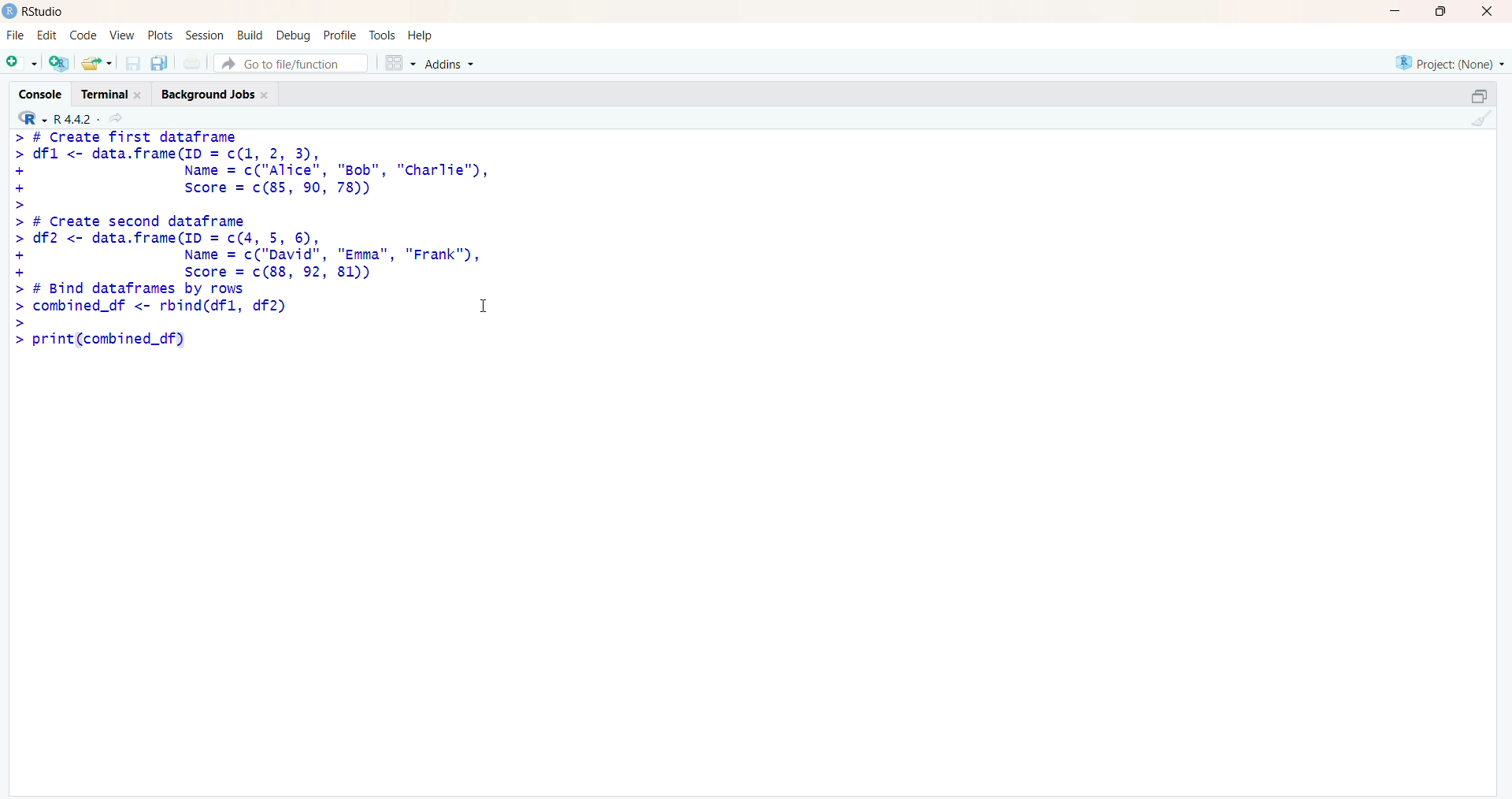 The width and height of the screenshot is (1512, 799). What do you see at coordinates (44, 11) in the screenshot?
I see `Rstudio` at bounding box center [44, 11].